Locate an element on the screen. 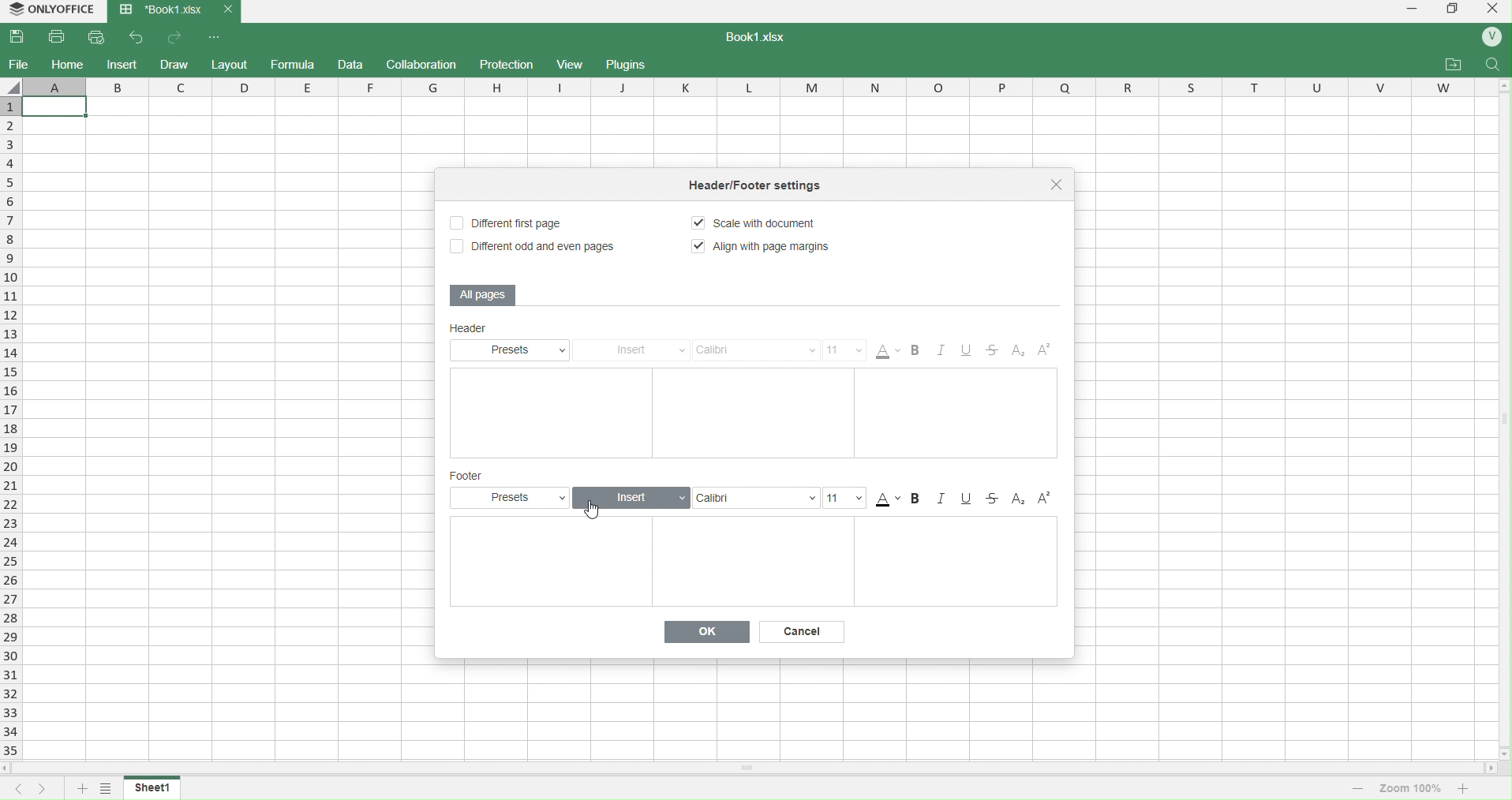 This screenshot has width=1512, height=800. save is located at coordinates (21, 37).